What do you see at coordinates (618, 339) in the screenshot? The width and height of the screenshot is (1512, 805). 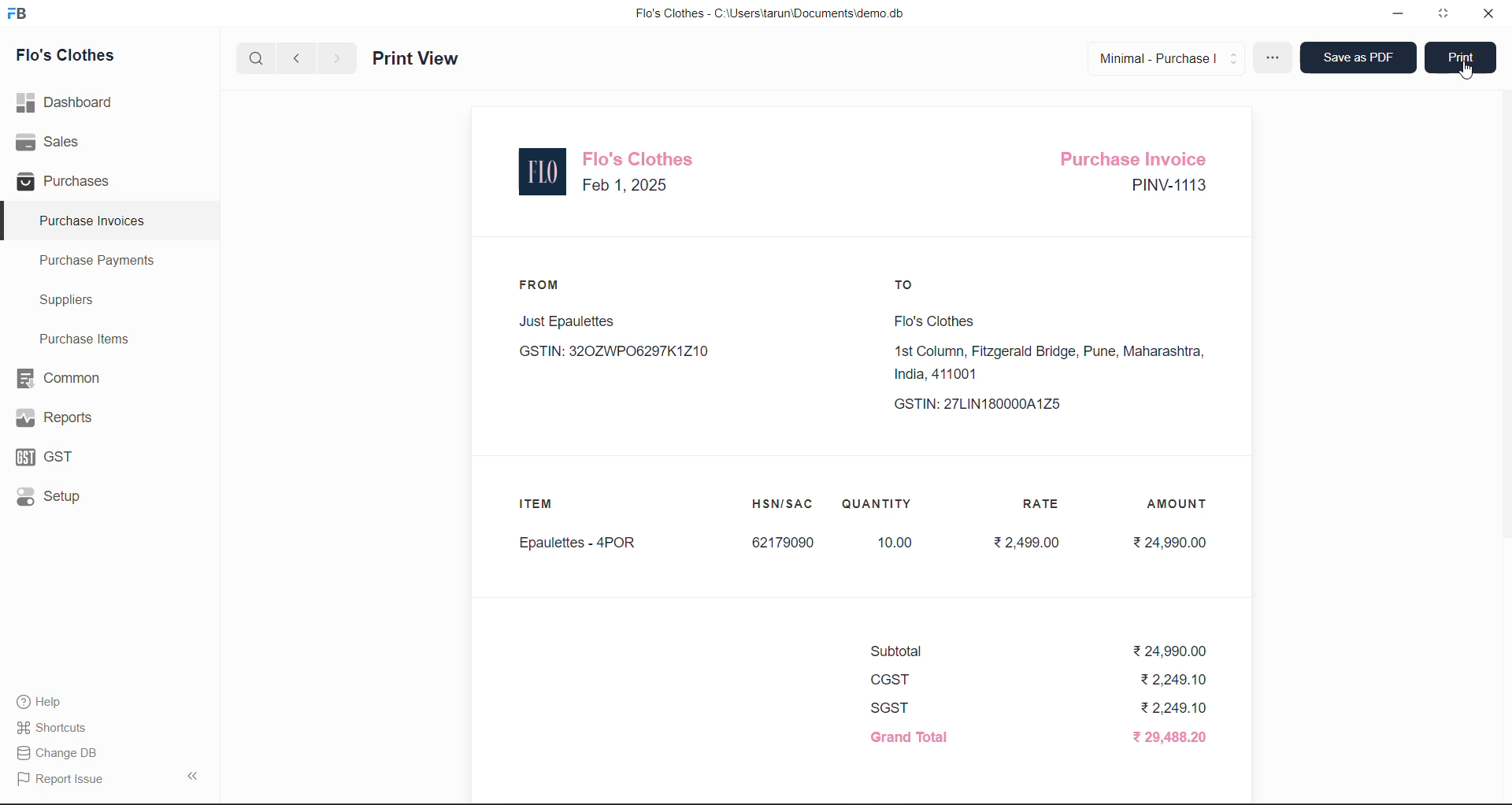 I see `Just Epaulettes GSTIN: 320ZWP06297K1Z10` at bounding box center [618, 339].